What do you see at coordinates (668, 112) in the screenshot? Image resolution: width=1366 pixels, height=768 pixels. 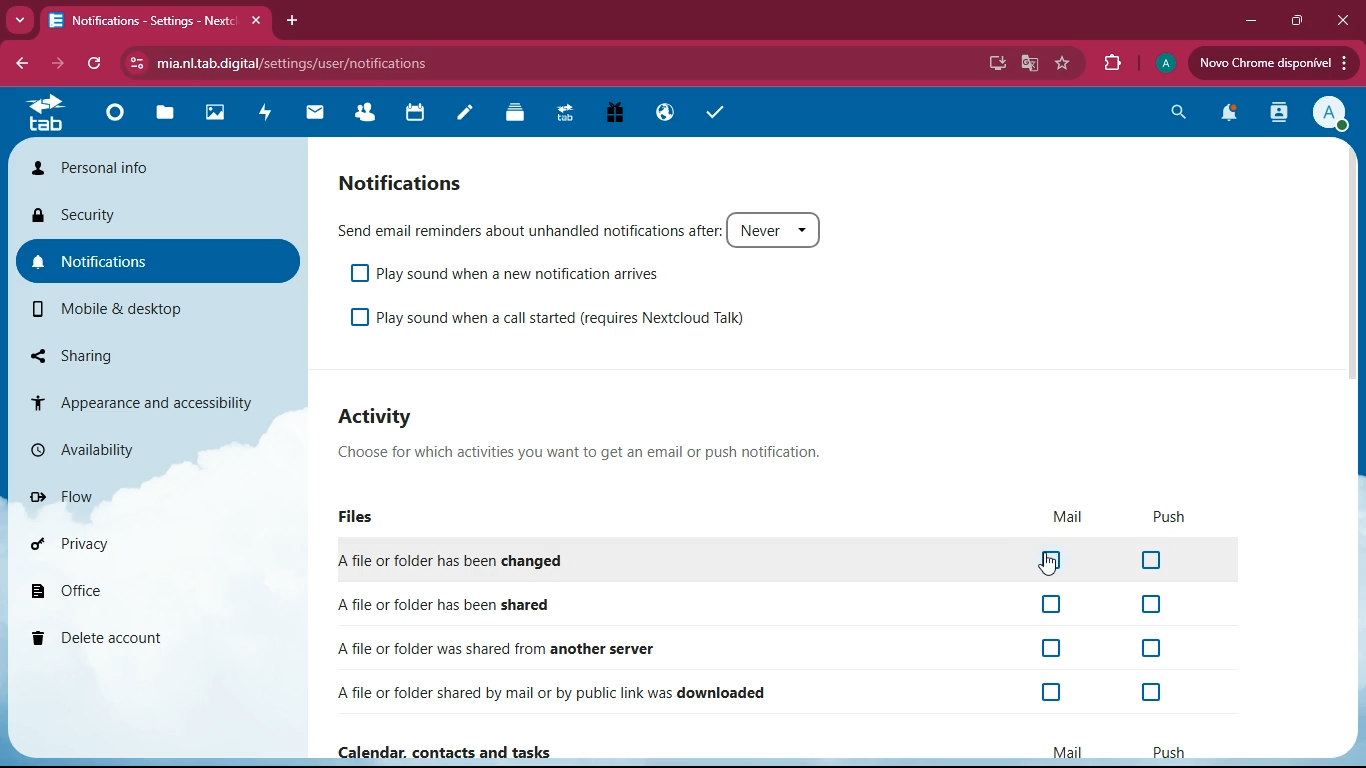 I see `public` at bounding box center [668, 112].